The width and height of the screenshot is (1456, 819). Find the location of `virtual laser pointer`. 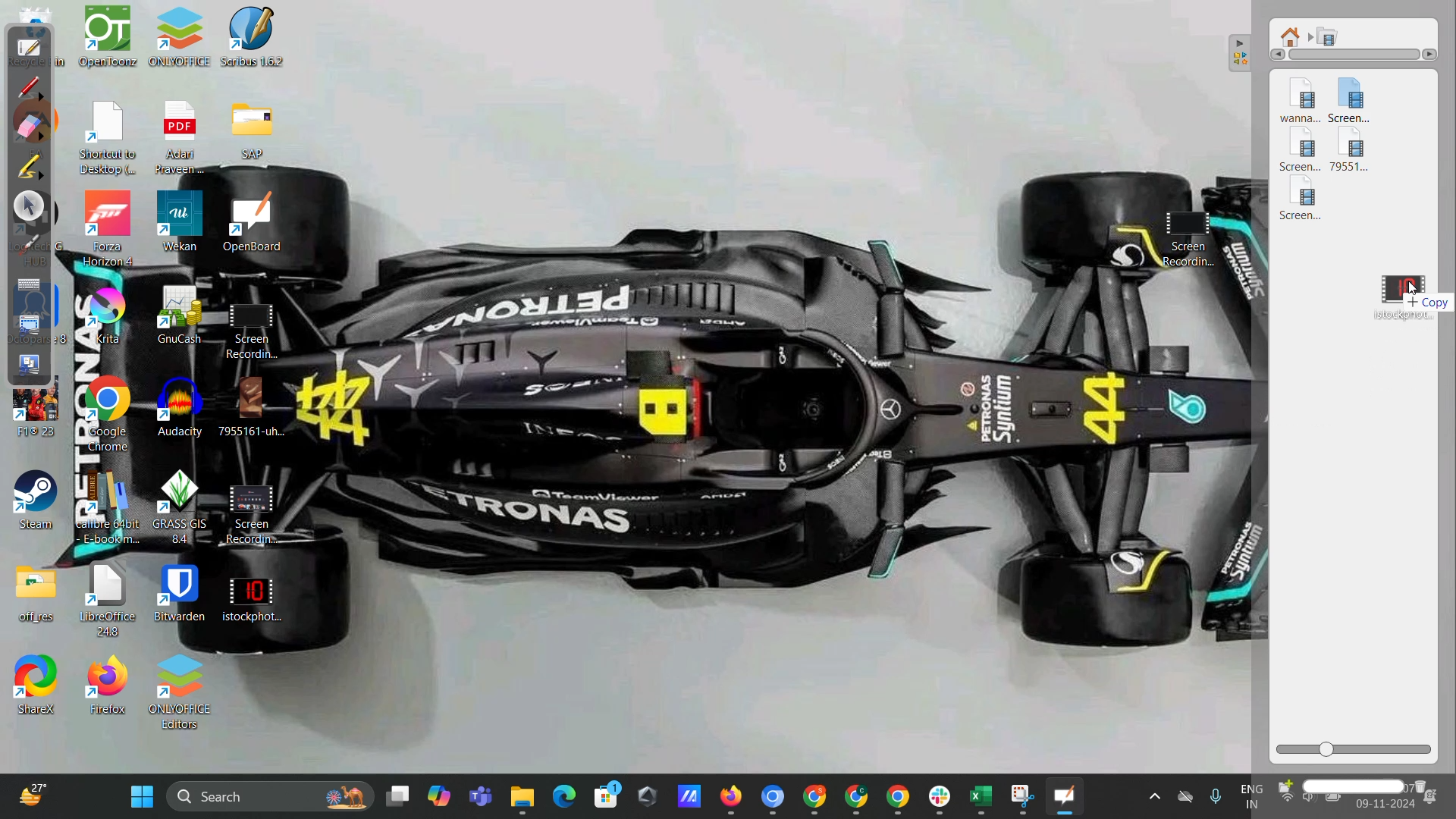

virtual laser pointer is located at coordinates (32, 246).